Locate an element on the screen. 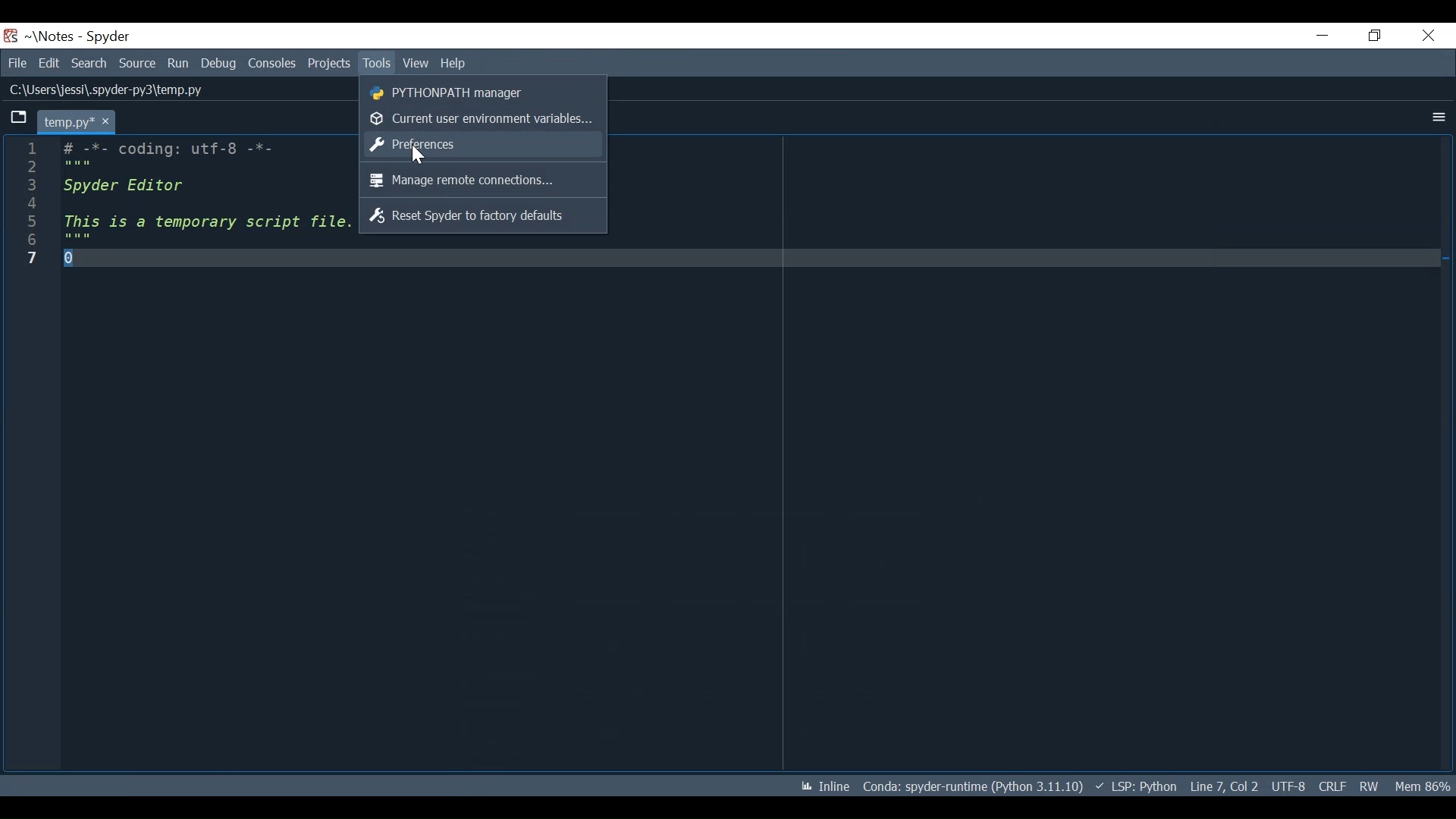 The width and height of the screenshot is (1456, 819). Memory Usage is located at coordinates (1425, 784).